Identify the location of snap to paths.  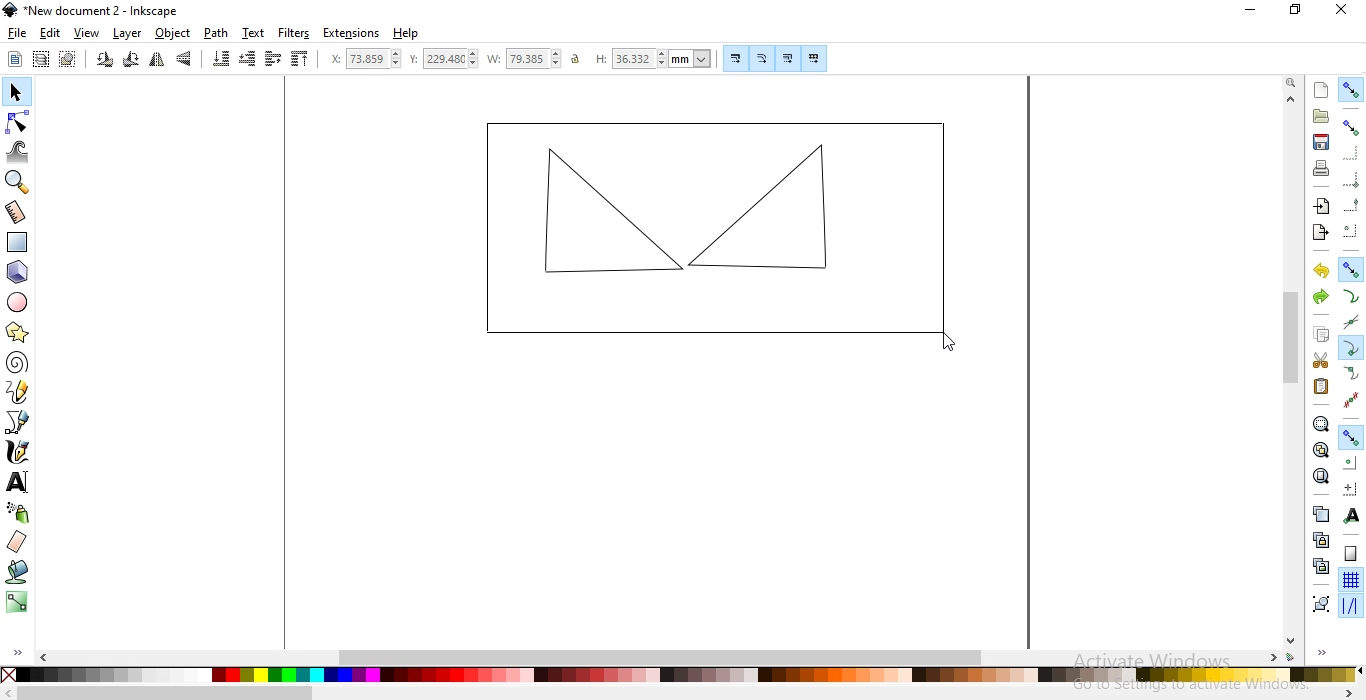
(1350, 296).